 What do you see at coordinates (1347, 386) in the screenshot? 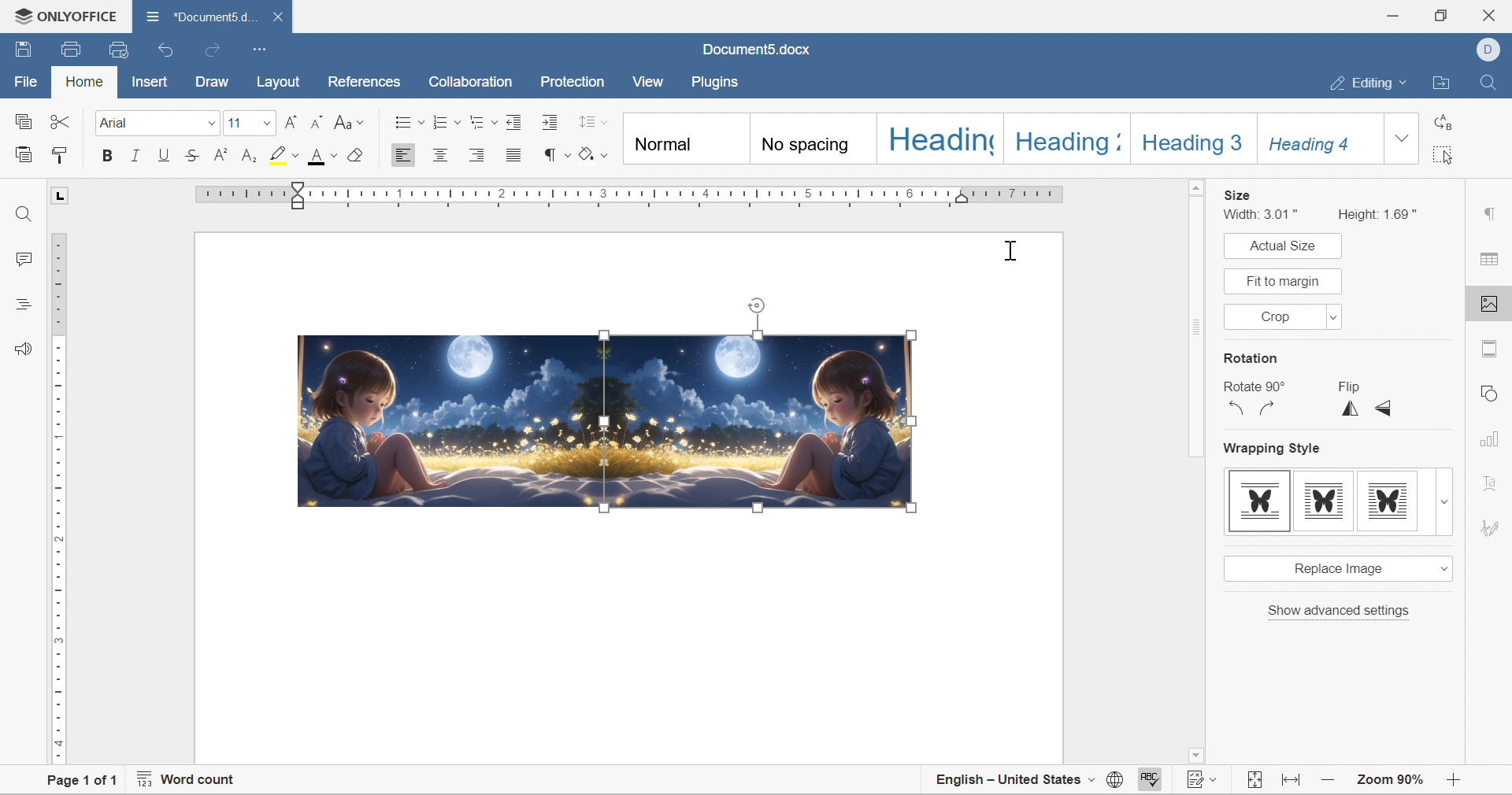
I see `flip` at bounding box center [1347, 386].